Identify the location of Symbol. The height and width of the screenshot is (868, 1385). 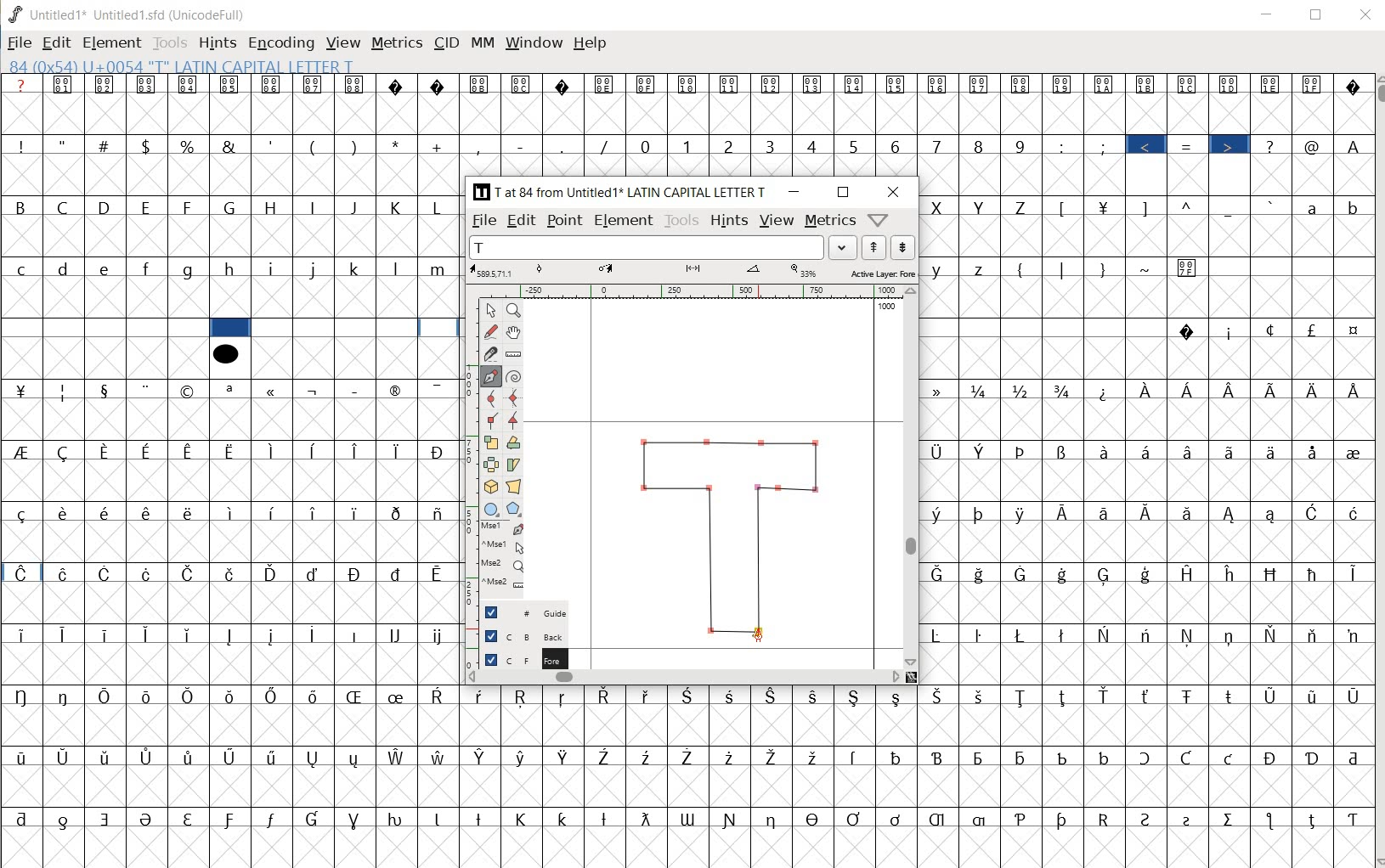
(897, 757).